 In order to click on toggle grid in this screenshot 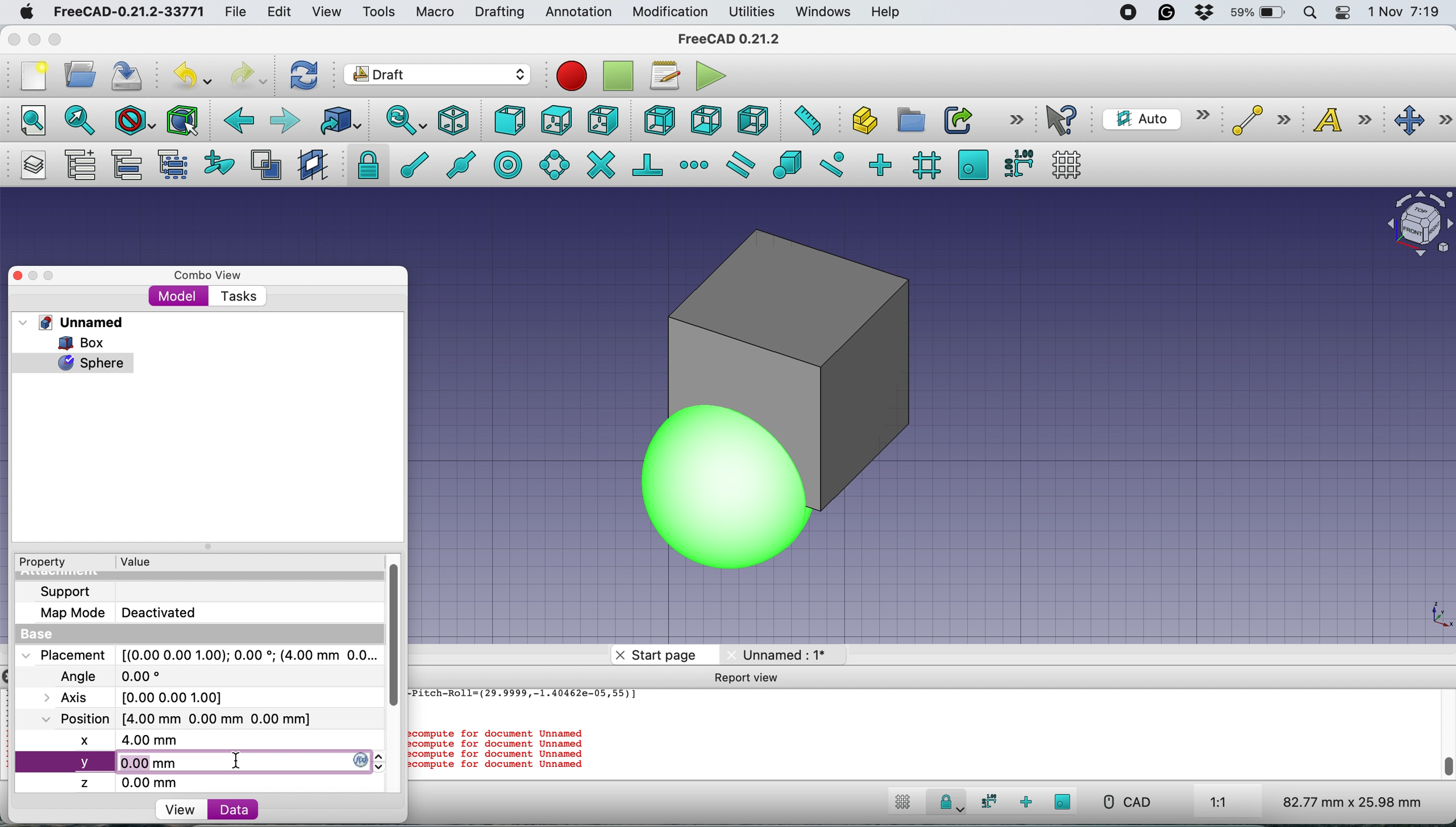, I will do `click(900, 804)`.